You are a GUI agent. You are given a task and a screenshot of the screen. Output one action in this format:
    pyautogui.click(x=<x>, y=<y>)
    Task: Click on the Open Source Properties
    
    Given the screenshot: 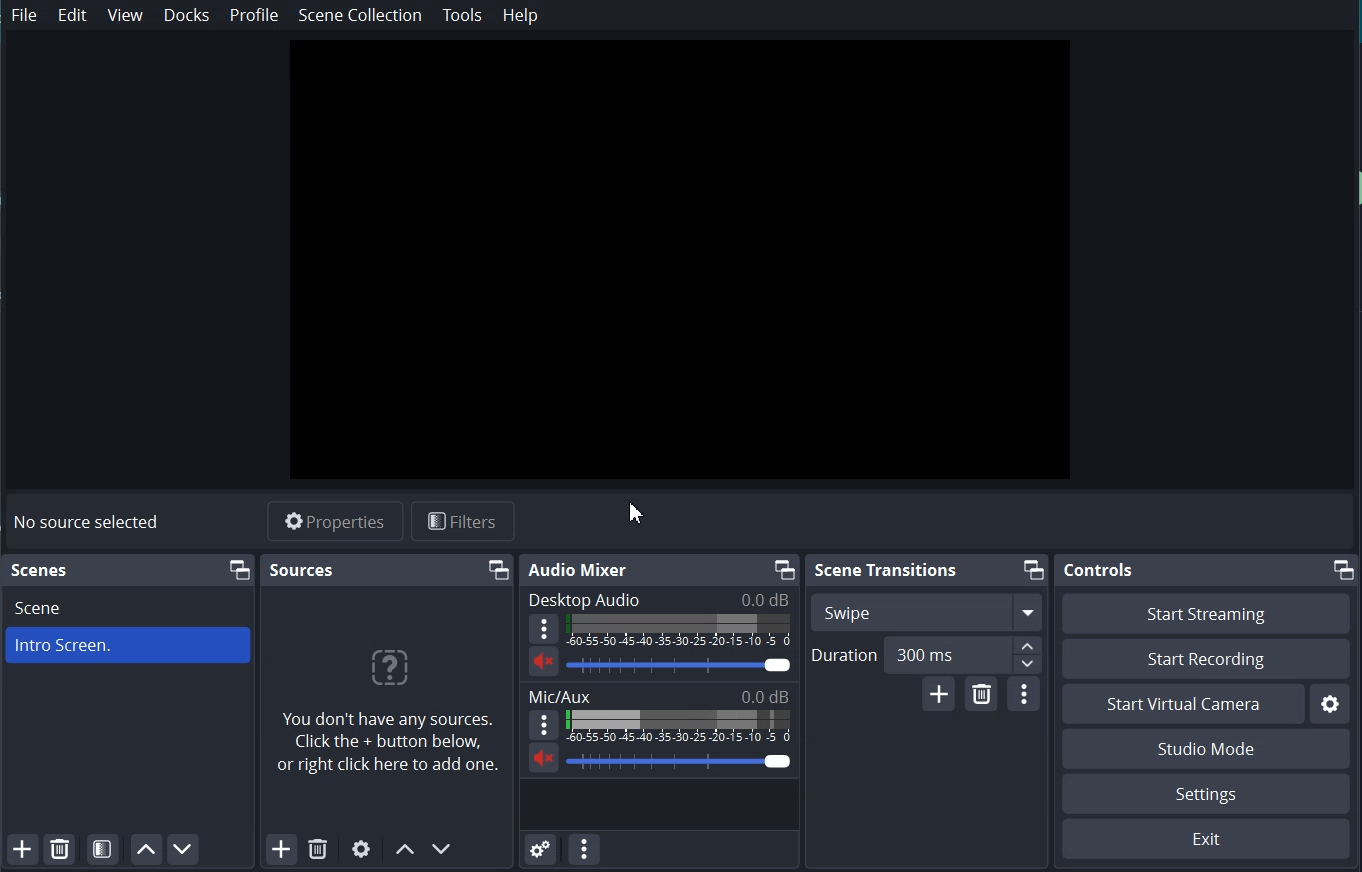 What is the action you would take?
    pyautogui.click(x=362, y=850)
    